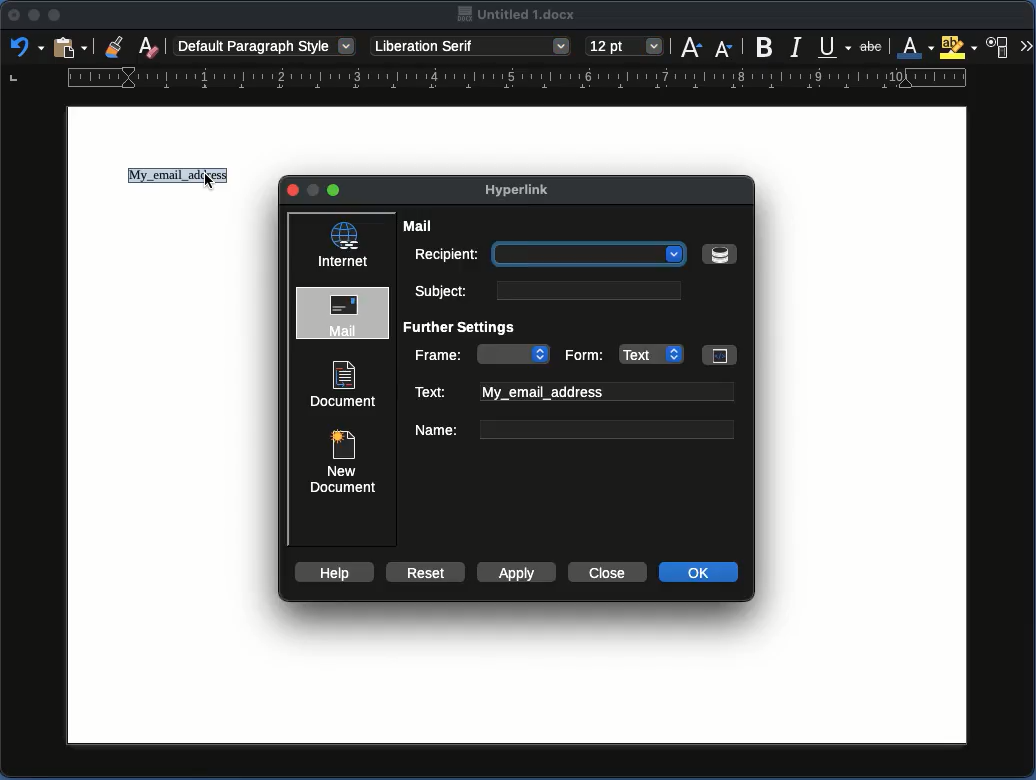 The image size is (1036, 780). Describe the element at coordinates (174, 177) in the screenshot. I see `My_email_address` at that location.